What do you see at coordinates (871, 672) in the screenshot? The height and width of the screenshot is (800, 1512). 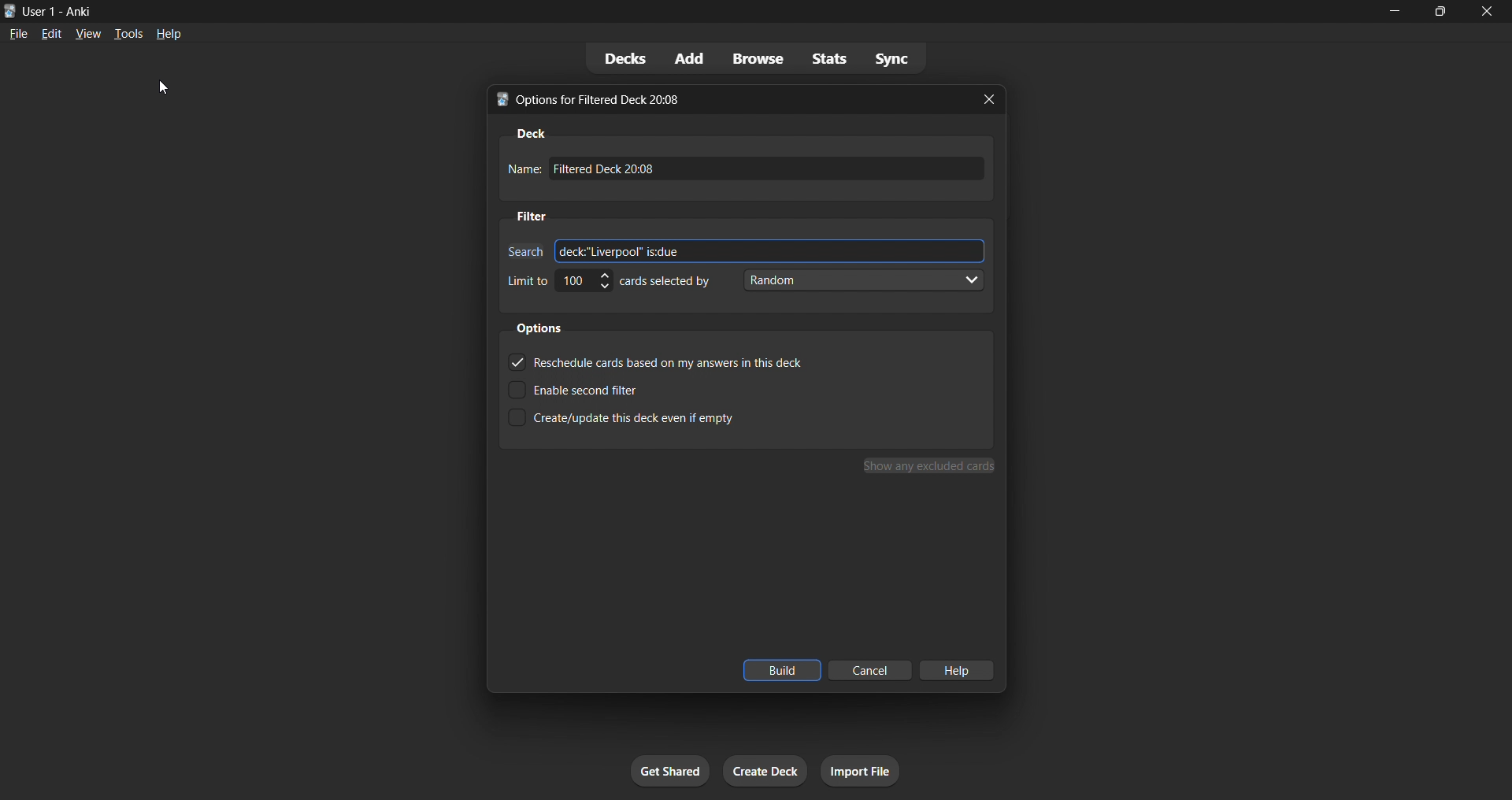 I see `cancel` at bounding box center [871, 672].